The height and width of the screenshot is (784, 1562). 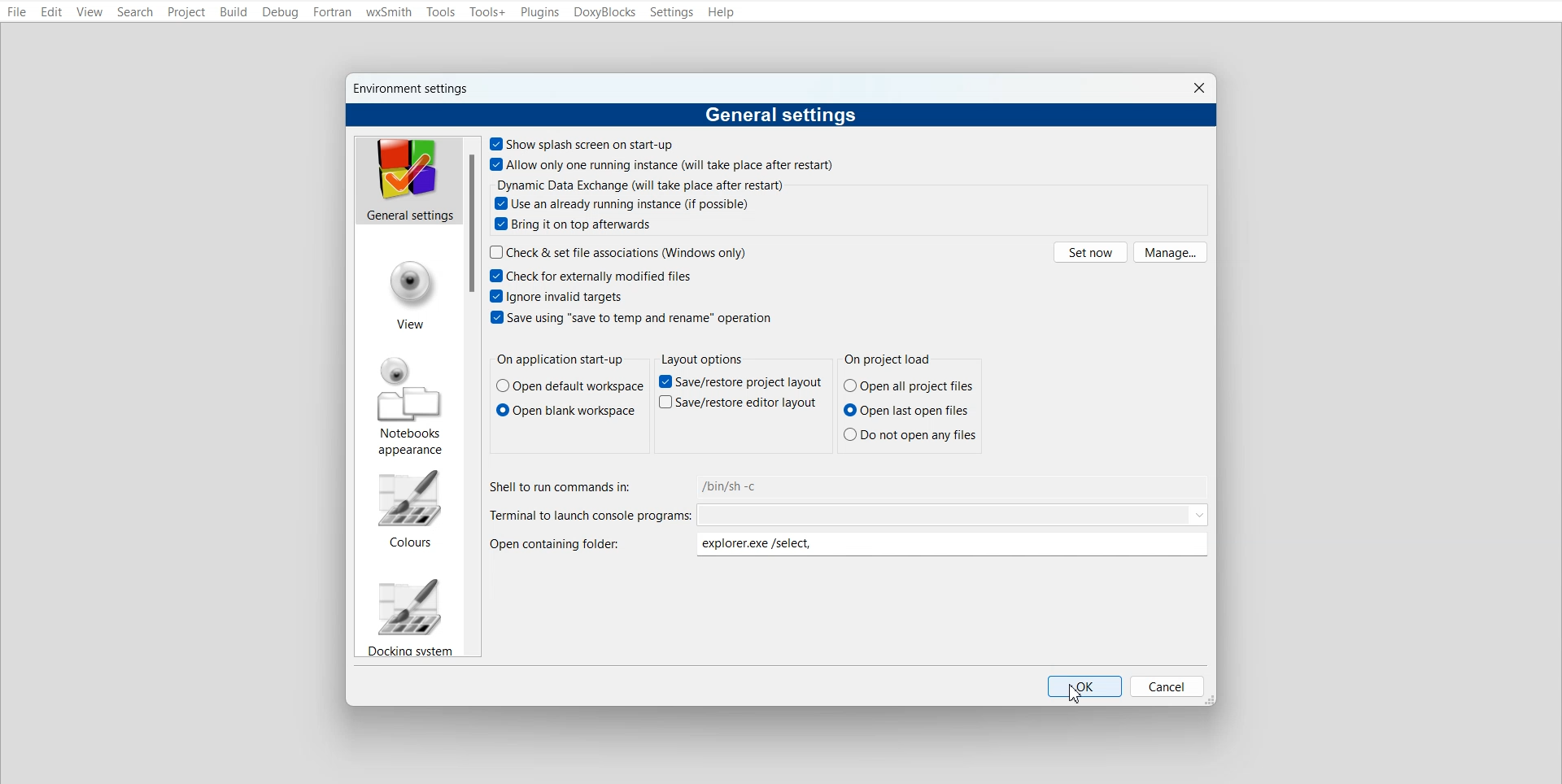 I want to click on Plugins, so click(x=539, y=13).